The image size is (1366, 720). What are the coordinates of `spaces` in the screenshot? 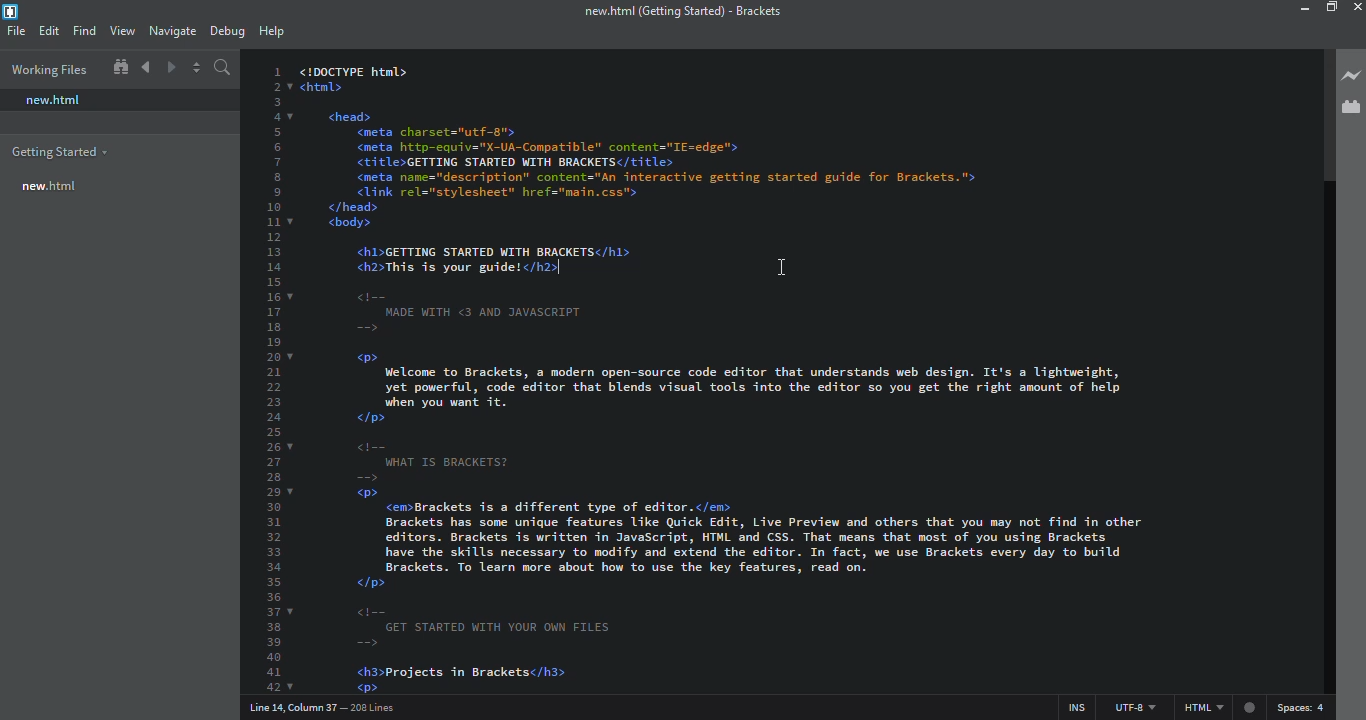 It's located at (1309, 708).